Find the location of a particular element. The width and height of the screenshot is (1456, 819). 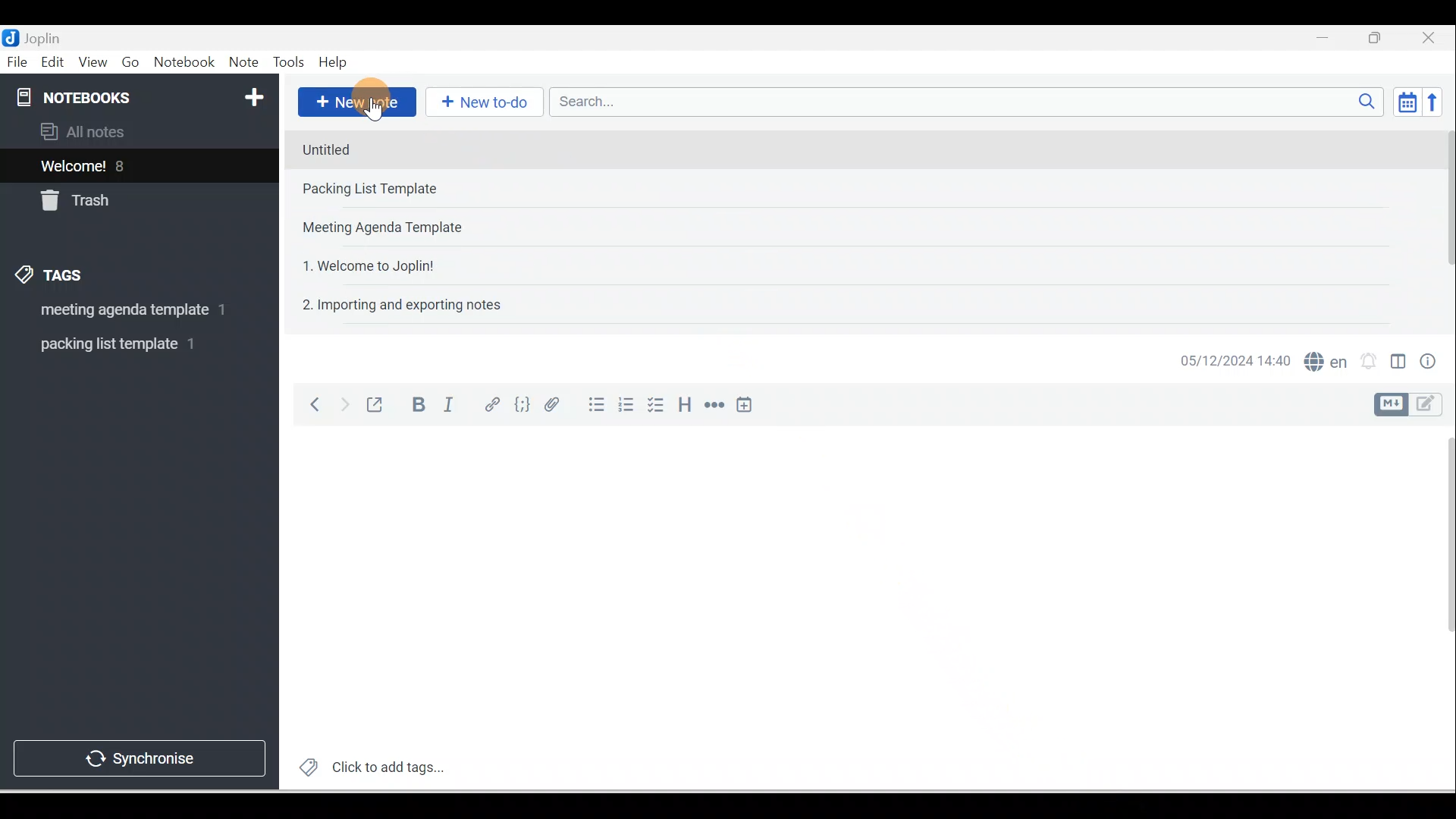

Notebook is located at coordinates (184, 63).